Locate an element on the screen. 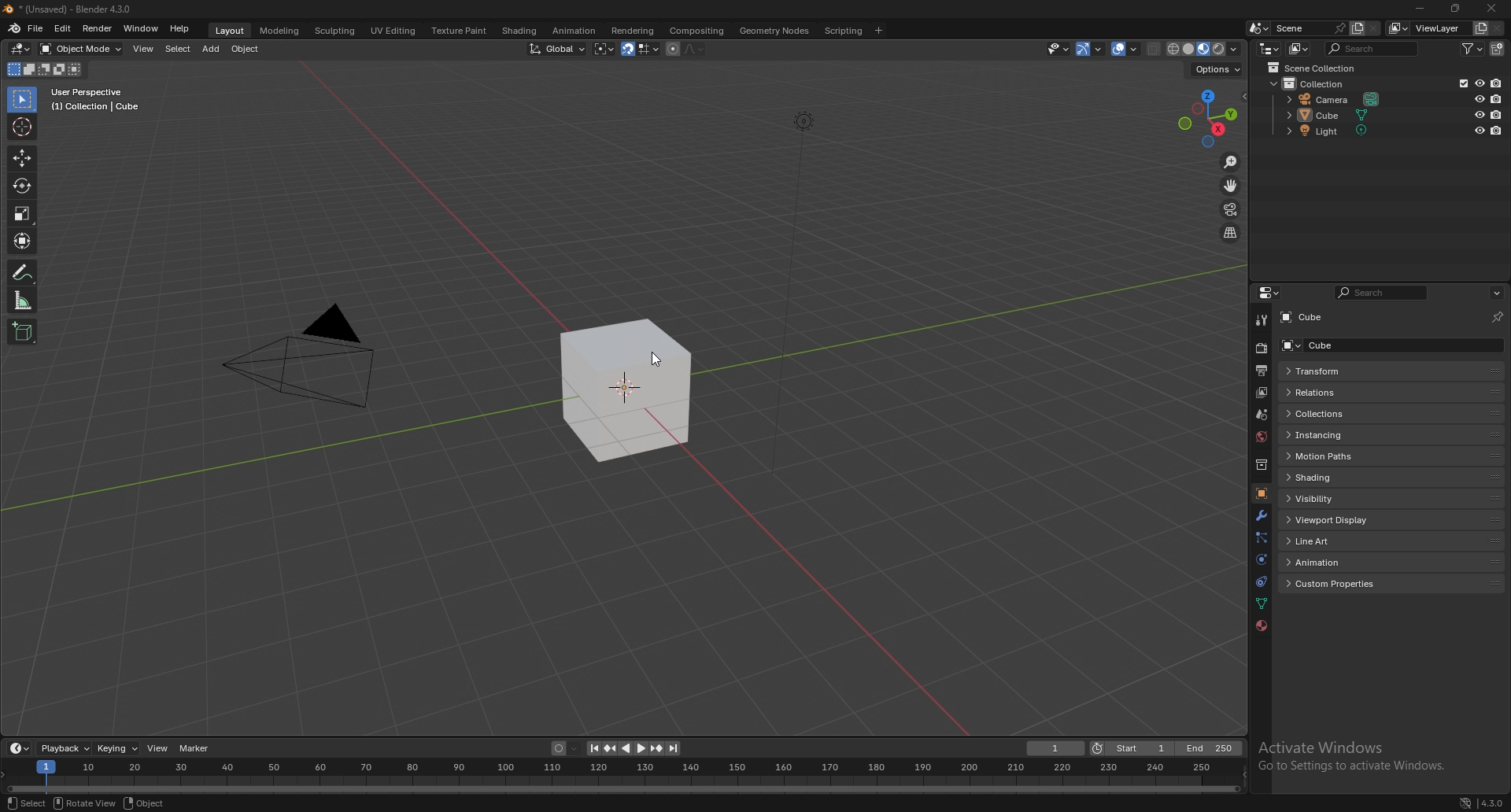 Image resolution: width=1511 pixels, height=812 pixels. browse scene is located at coordinates (1259, 28).